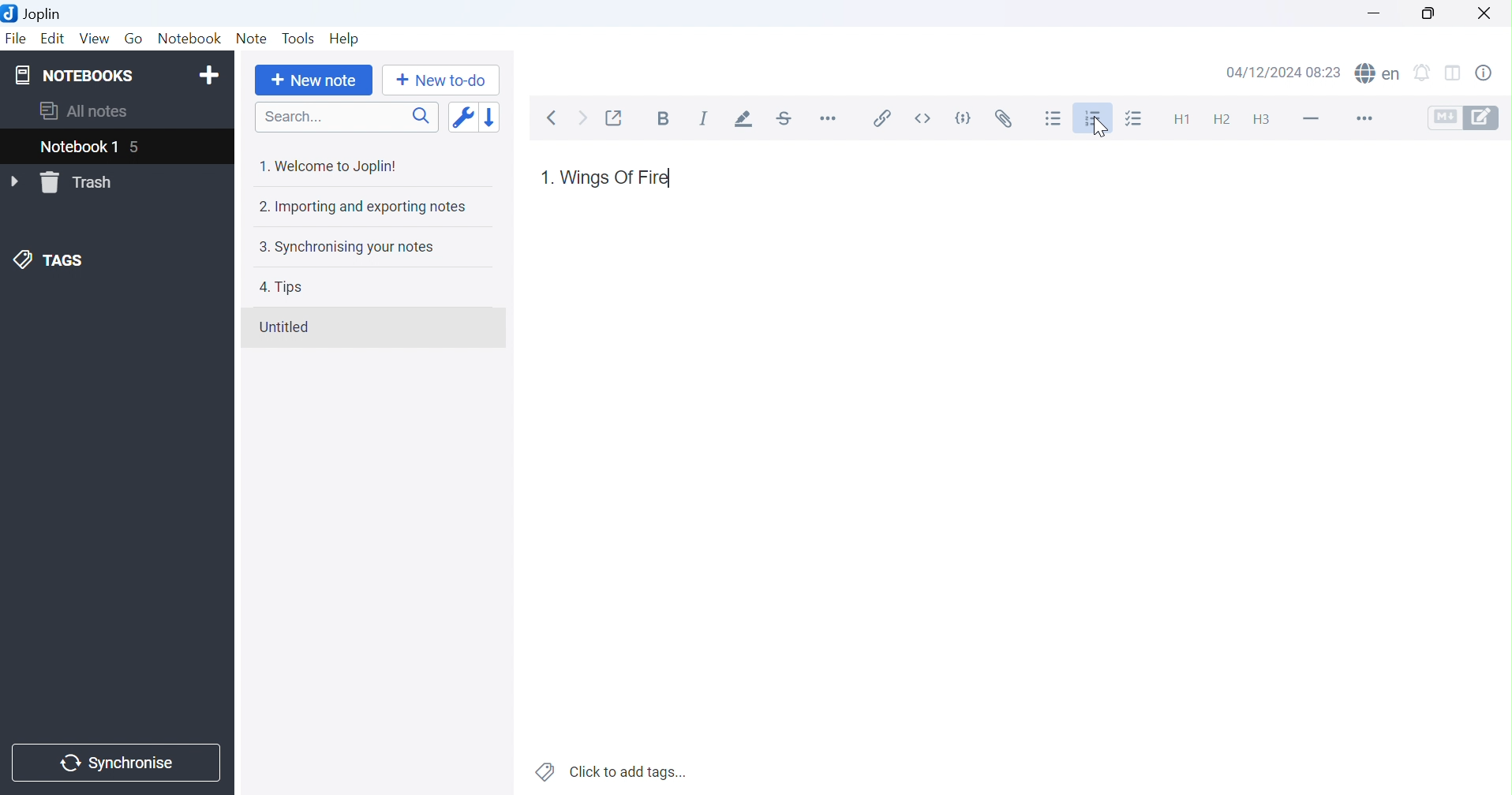 The width and height of the screenshot is (1512, 795). I want to click on Go, so click(135, 39).